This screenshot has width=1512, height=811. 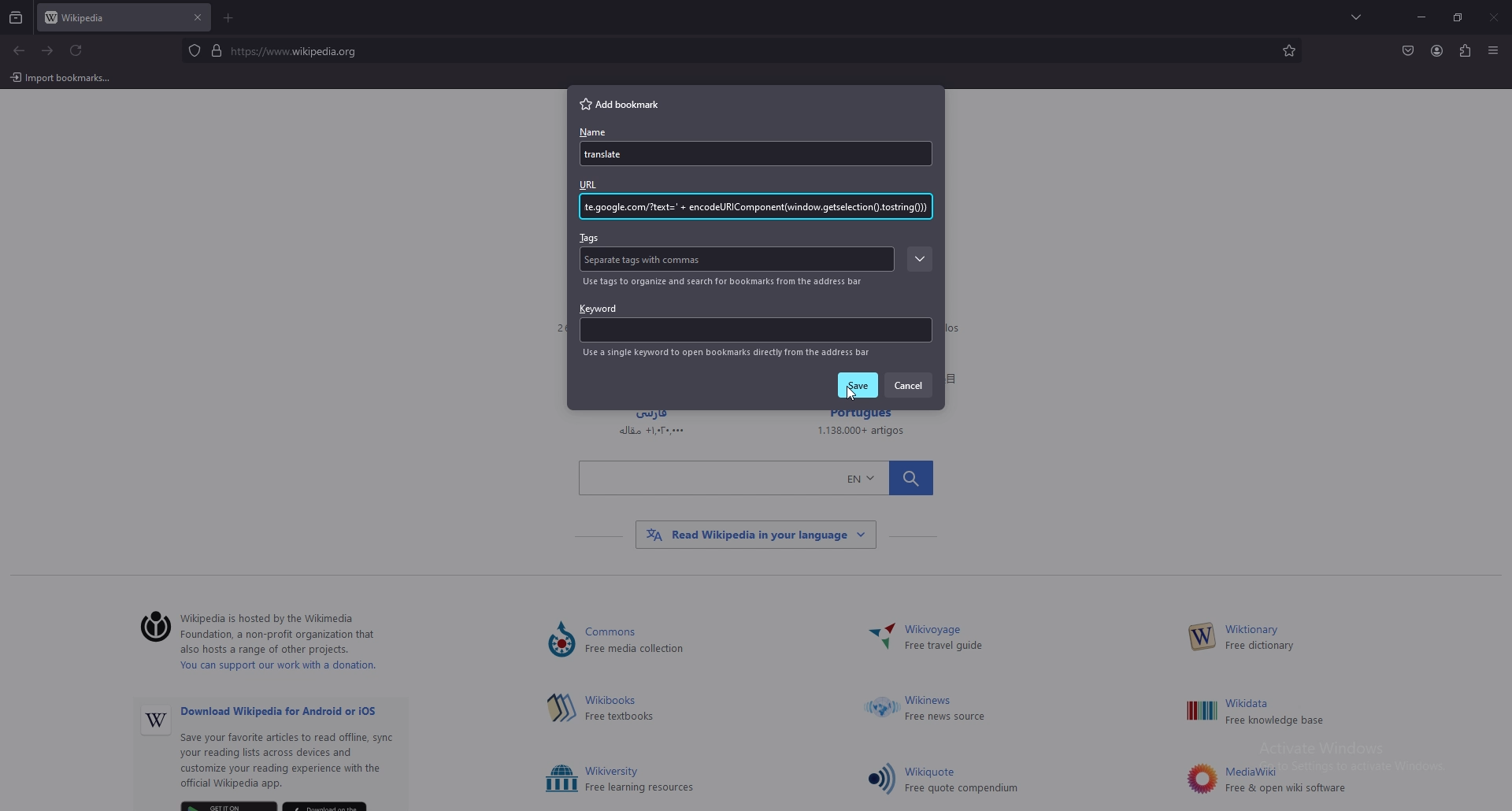 I want to click on url, so click(x=599, y=184).